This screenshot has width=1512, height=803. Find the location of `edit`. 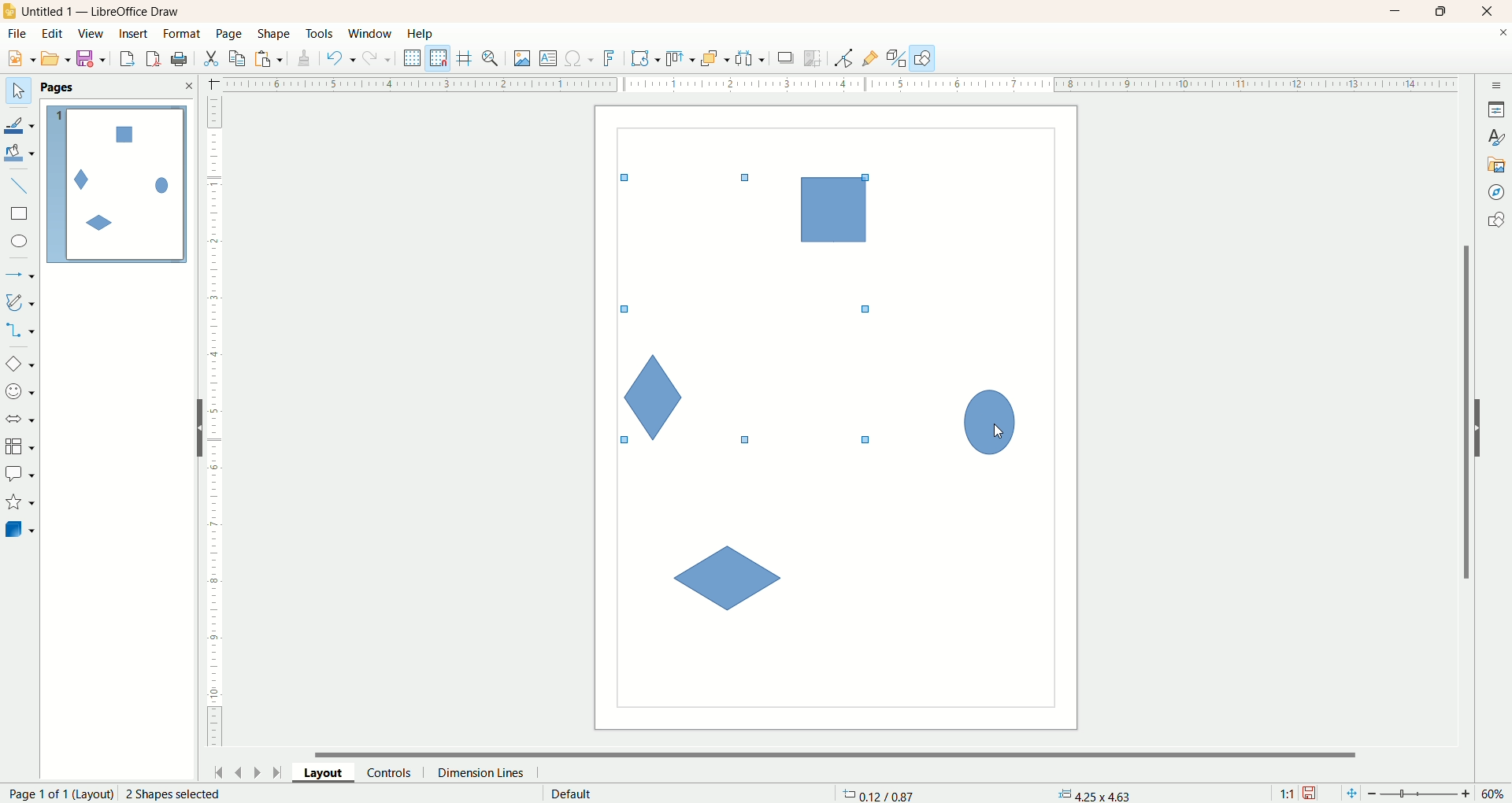

edit is located at coordinates (53, 35).